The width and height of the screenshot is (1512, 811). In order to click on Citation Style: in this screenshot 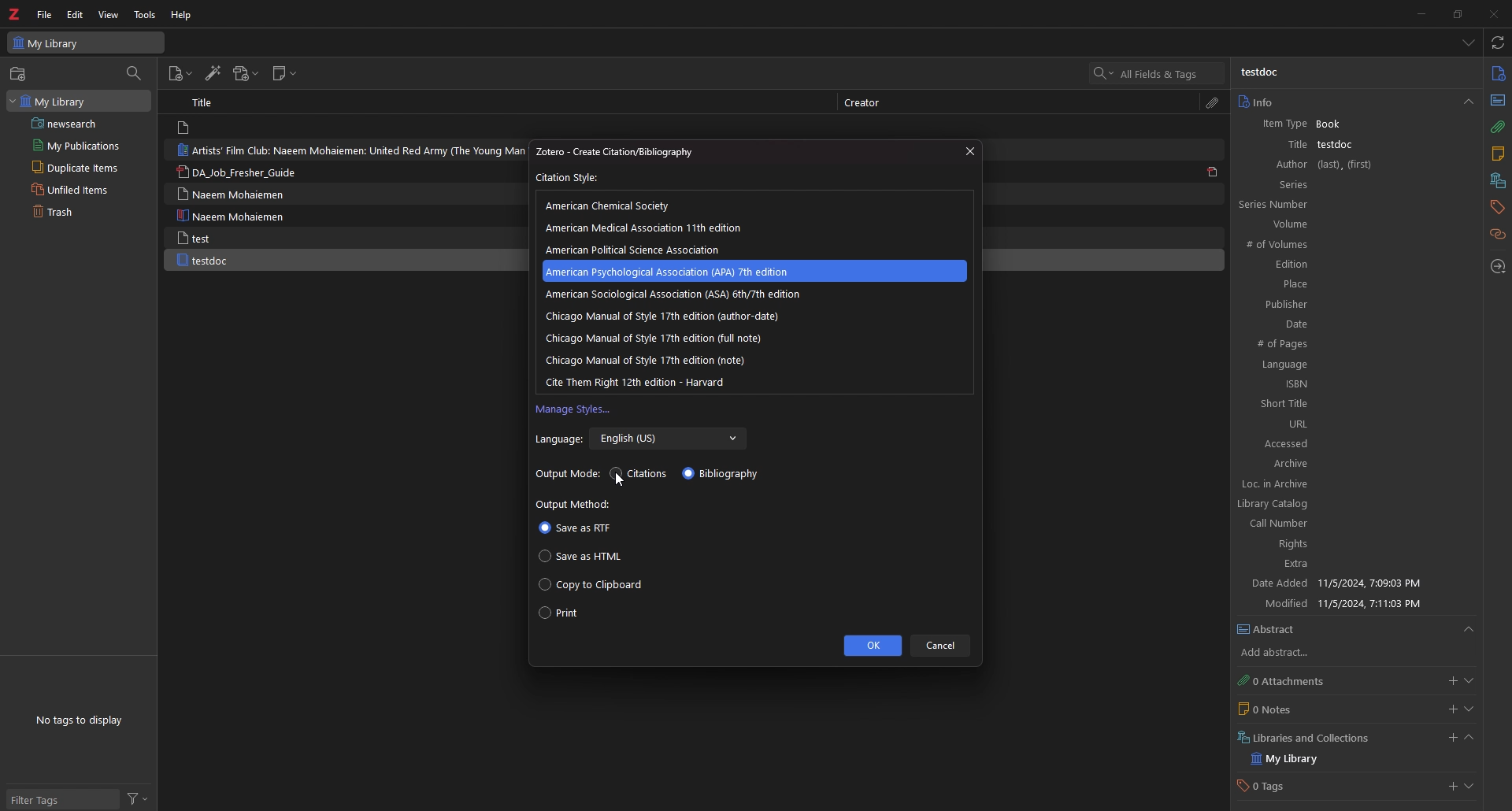, I will do `click(569, 178)`.